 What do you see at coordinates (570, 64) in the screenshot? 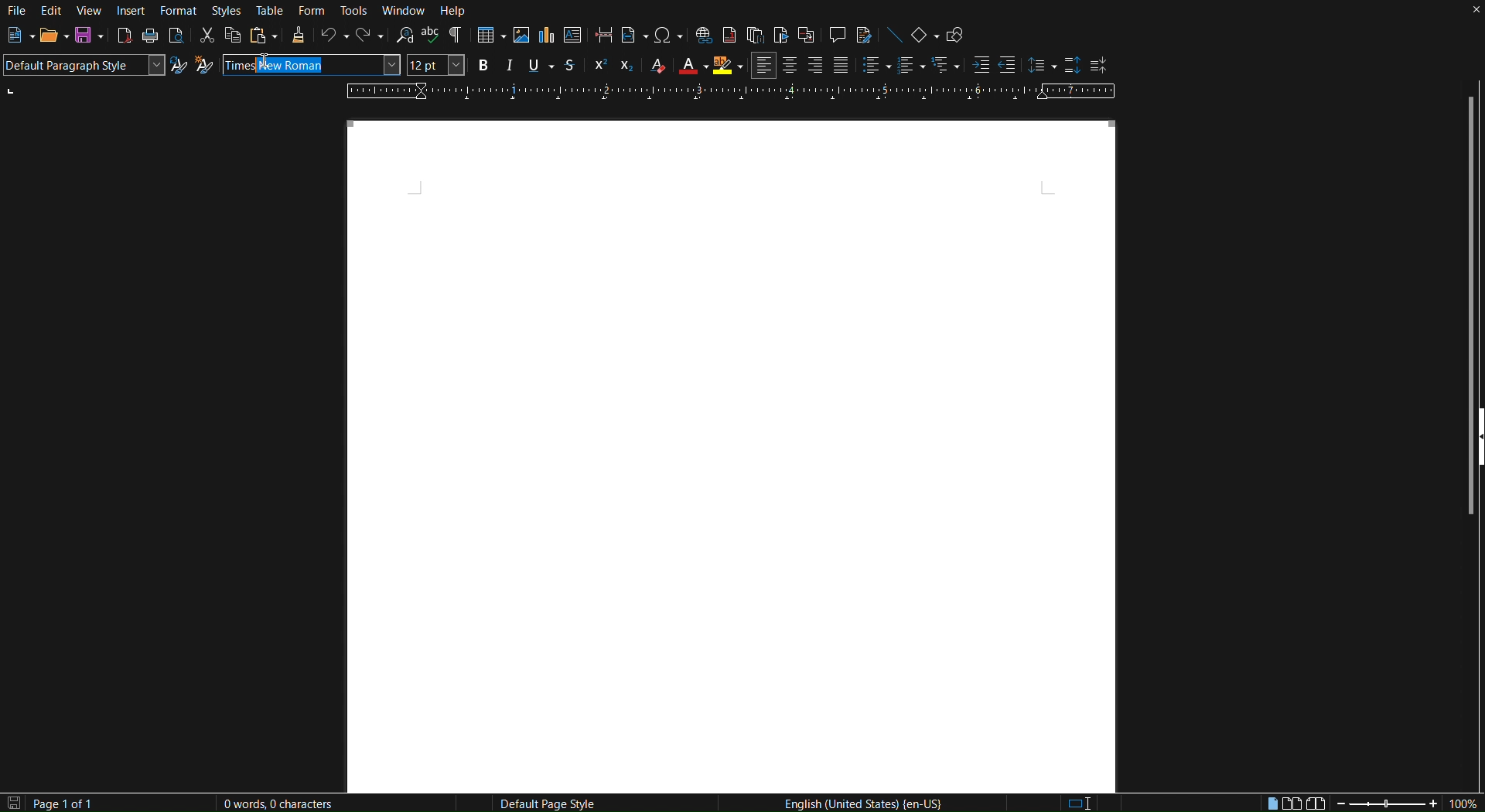
I see `Strikethrough` at bounding box center [570, 64].